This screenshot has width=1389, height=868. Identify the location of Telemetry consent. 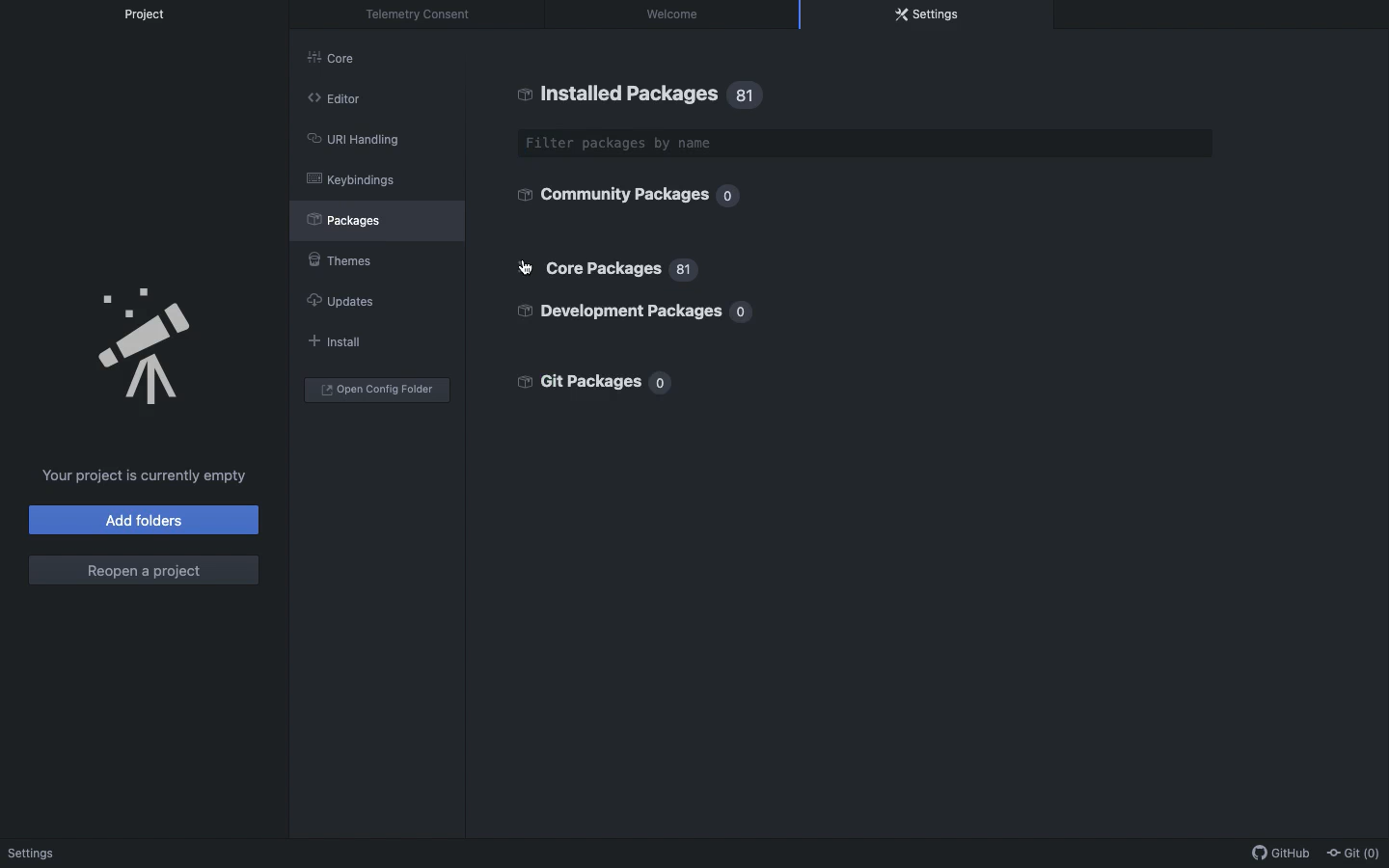
(423, 14).